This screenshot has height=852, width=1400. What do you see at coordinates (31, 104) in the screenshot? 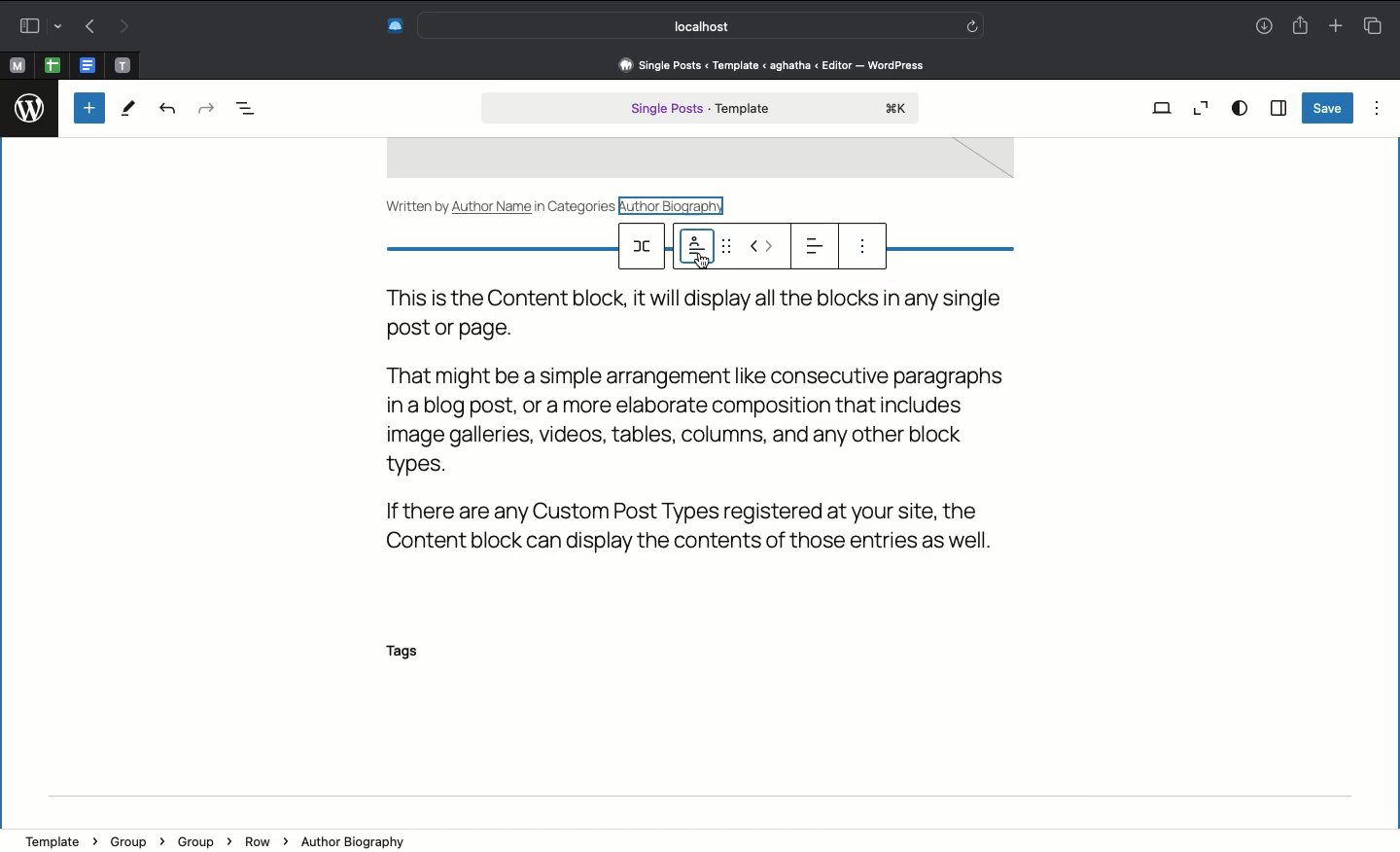
I see `logo` at bounding box center [31, 104].